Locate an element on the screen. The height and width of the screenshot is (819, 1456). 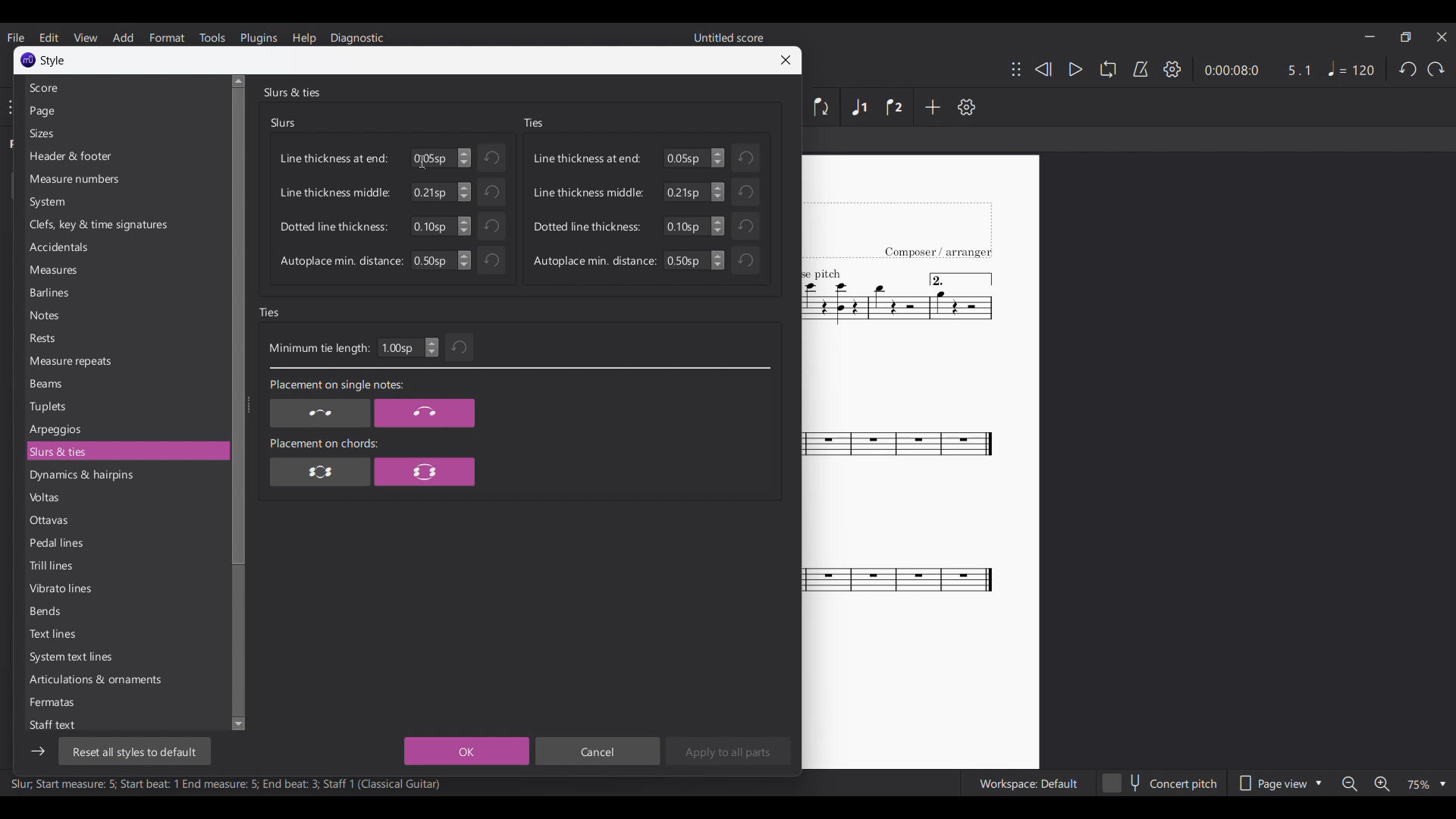
Line thickness middle is located at coordinates (588, 193).